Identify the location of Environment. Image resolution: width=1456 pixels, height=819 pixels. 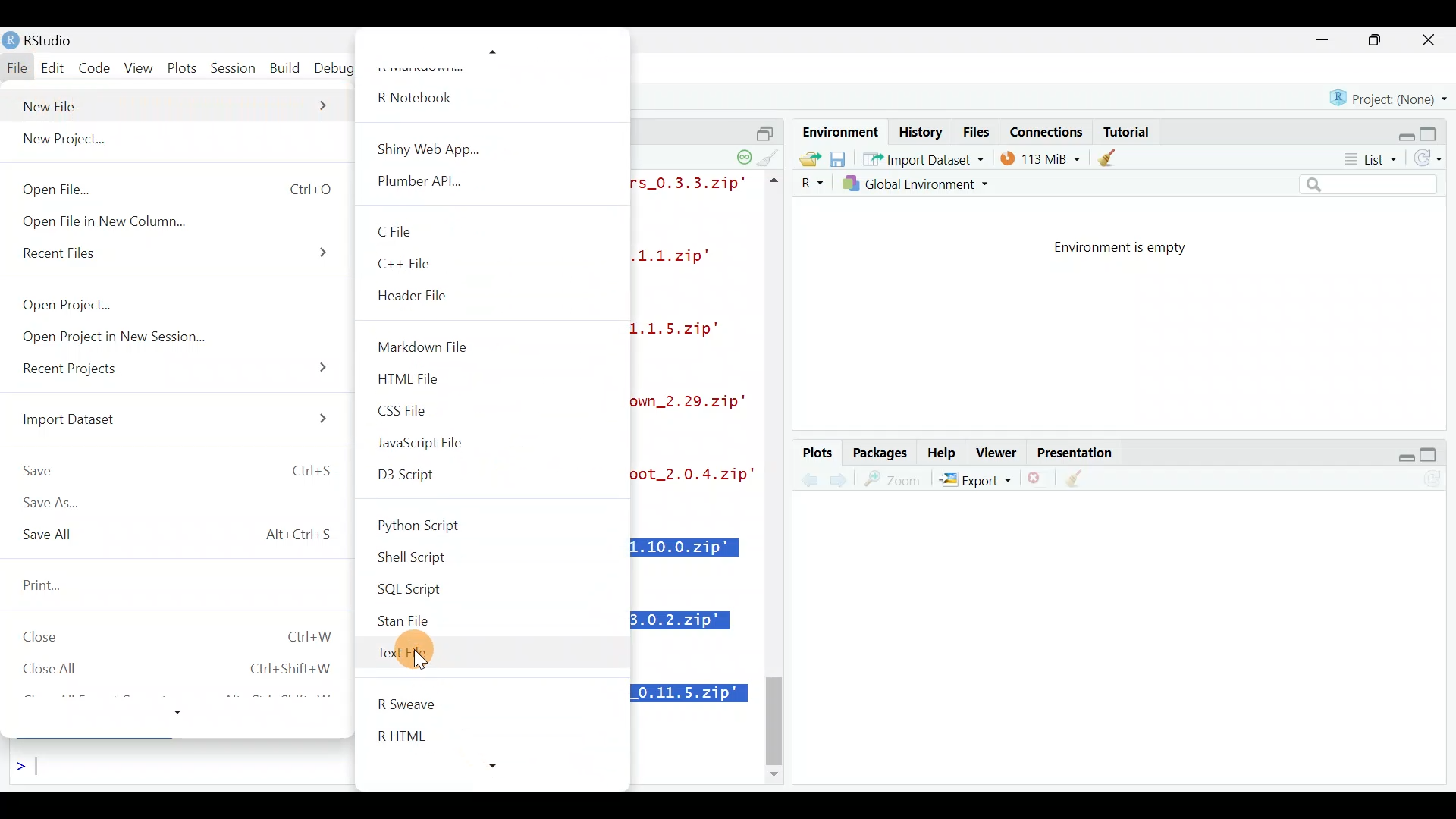
(838, 131).